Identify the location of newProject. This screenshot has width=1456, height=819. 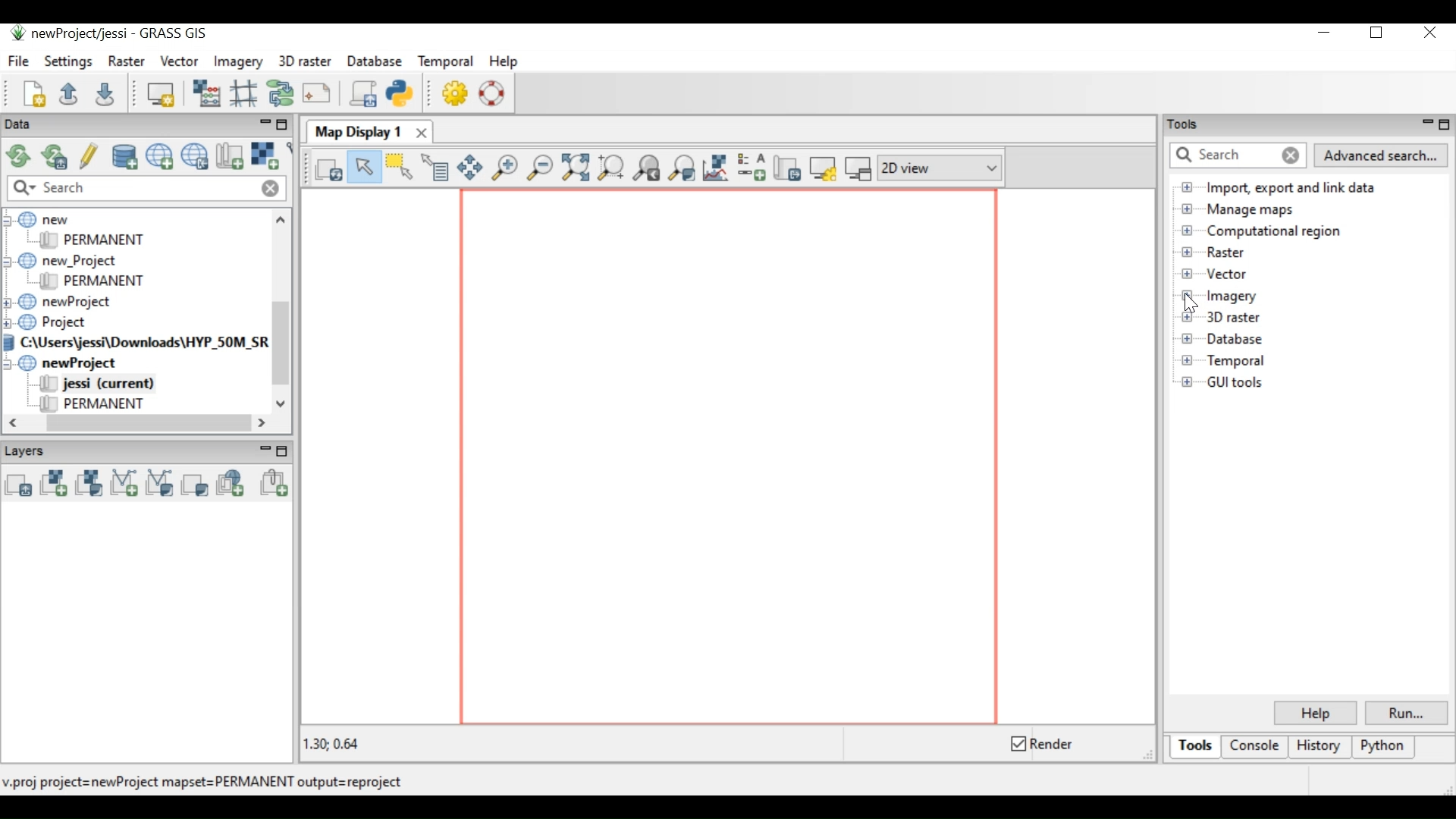
(76, 300).